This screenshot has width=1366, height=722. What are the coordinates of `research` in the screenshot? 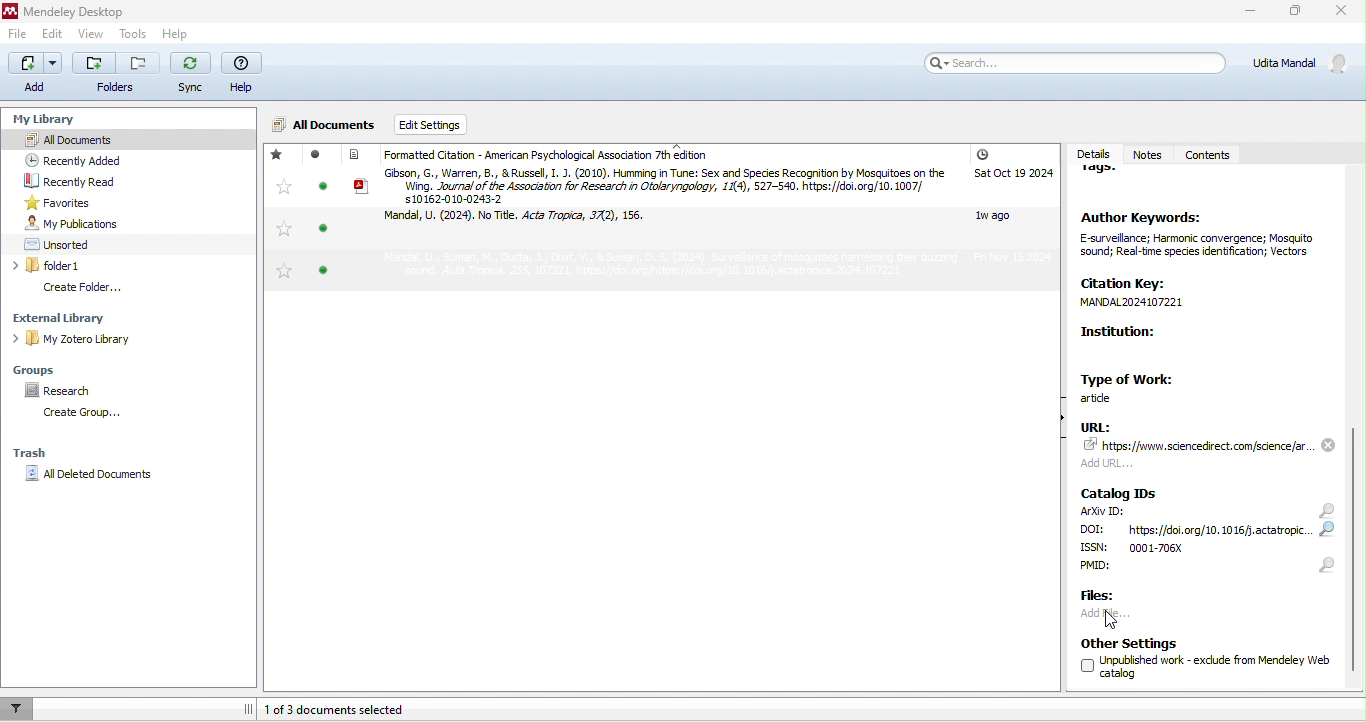 It's located at (61, 389).